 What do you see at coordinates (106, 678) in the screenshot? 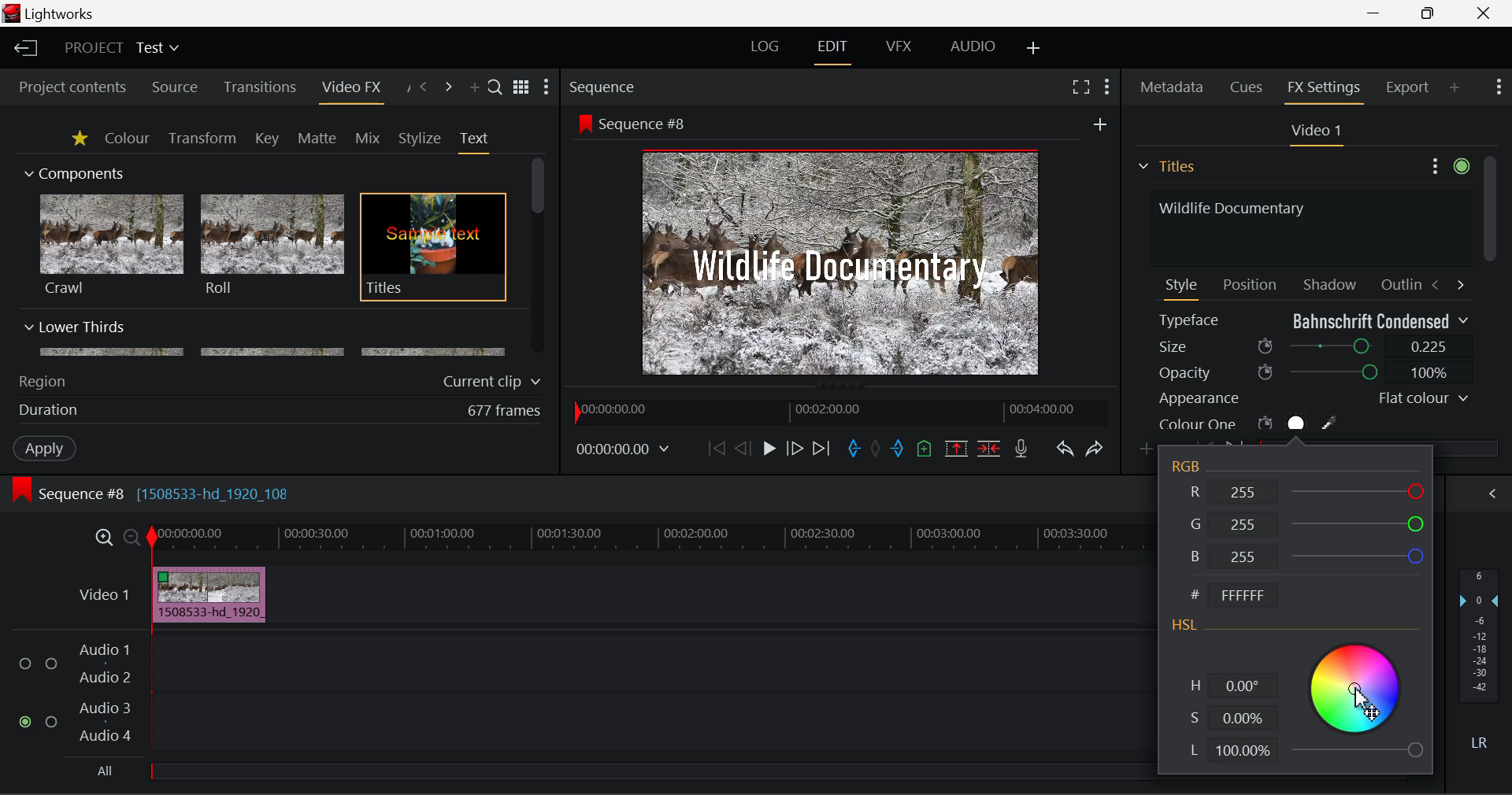
I see `Audio 2` at bounding box center [106, 678].